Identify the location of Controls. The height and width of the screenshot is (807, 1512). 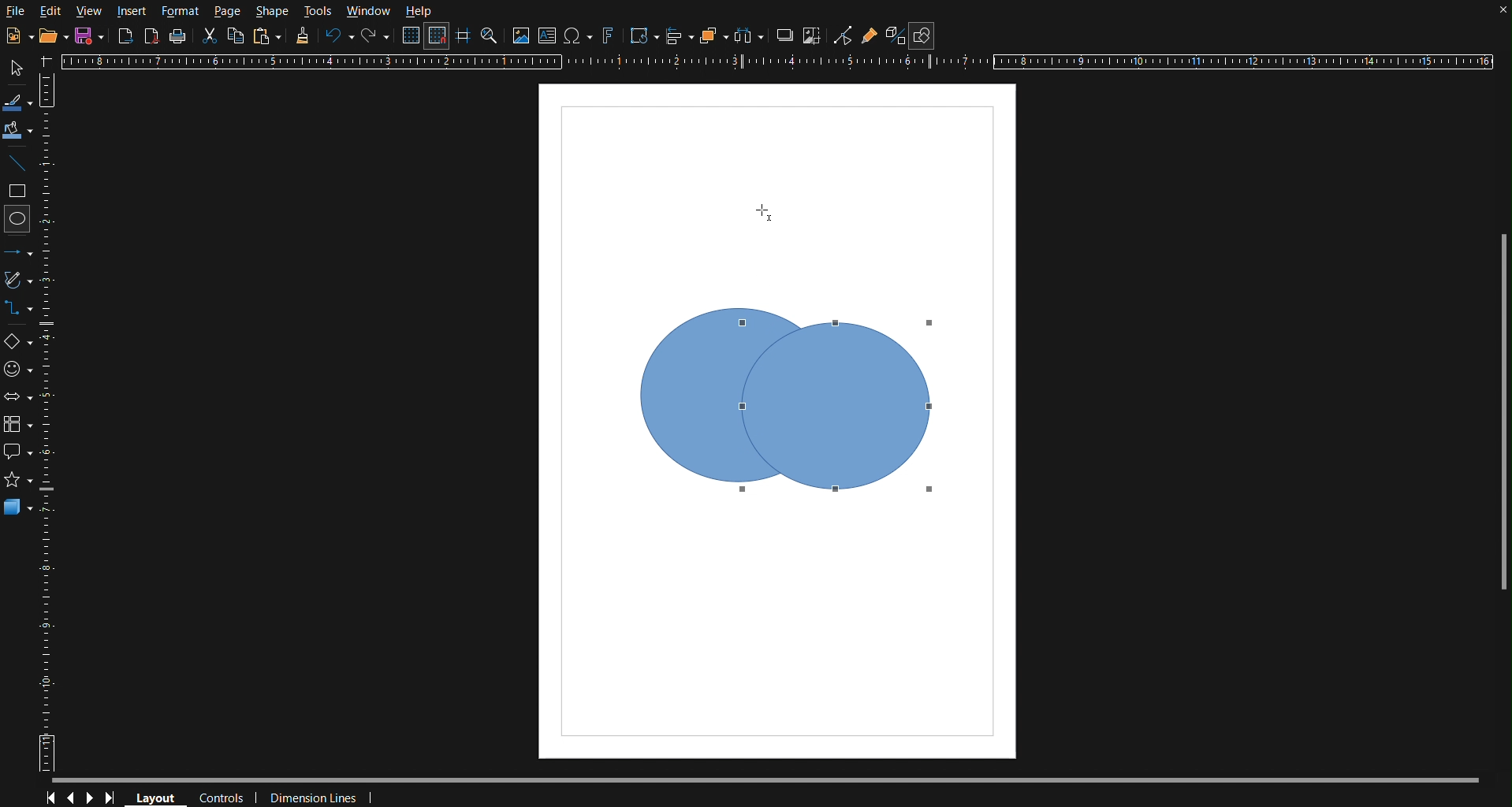
(82, 796).